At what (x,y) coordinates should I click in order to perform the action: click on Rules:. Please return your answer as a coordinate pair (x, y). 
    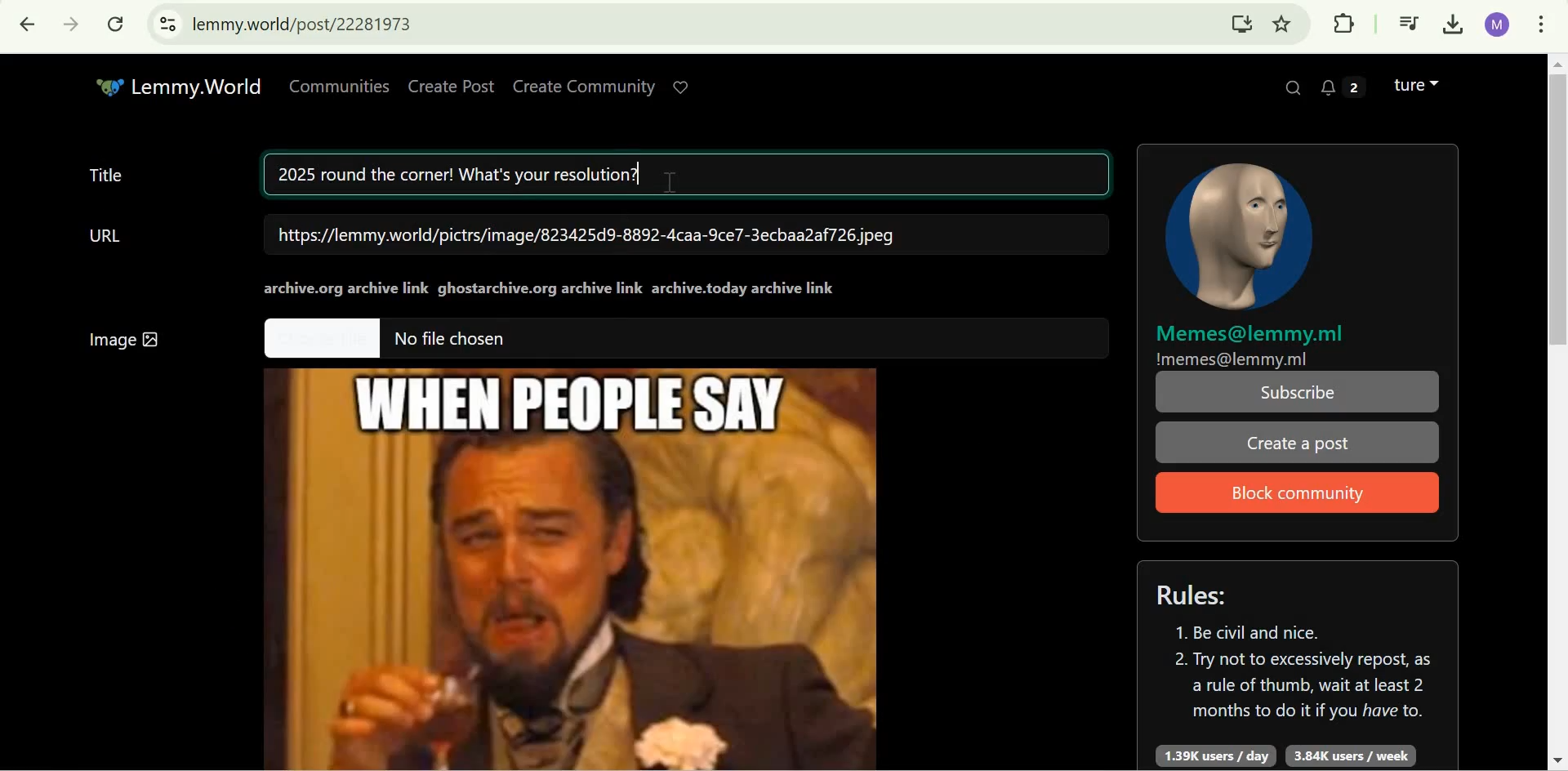
    Looking at the image, I should click on (1199, 595).